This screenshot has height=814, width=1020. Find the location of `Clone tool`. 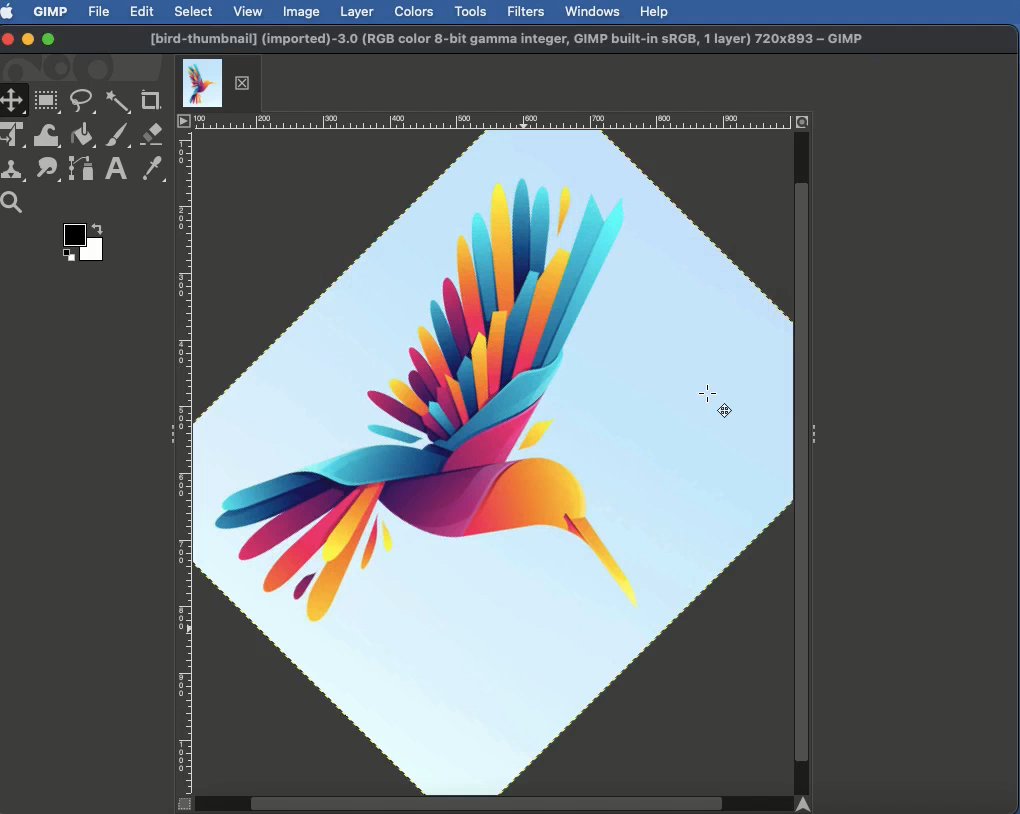

Clone tool is located at coordinates (15, 171).